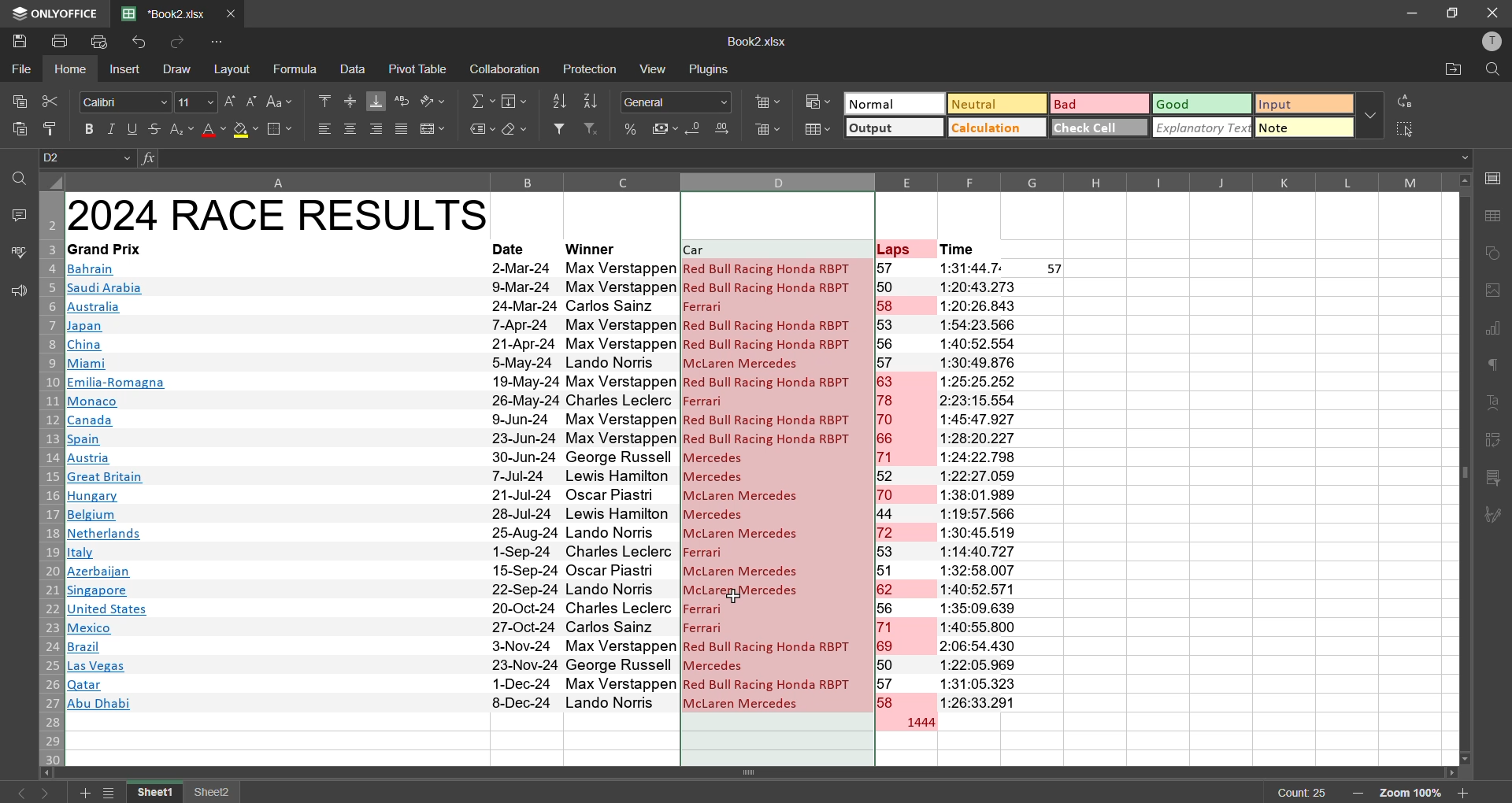 The image size is (1512, 803). Describe the element at coordinates (1492, 70) in the screenshot. I see `find` at that location.